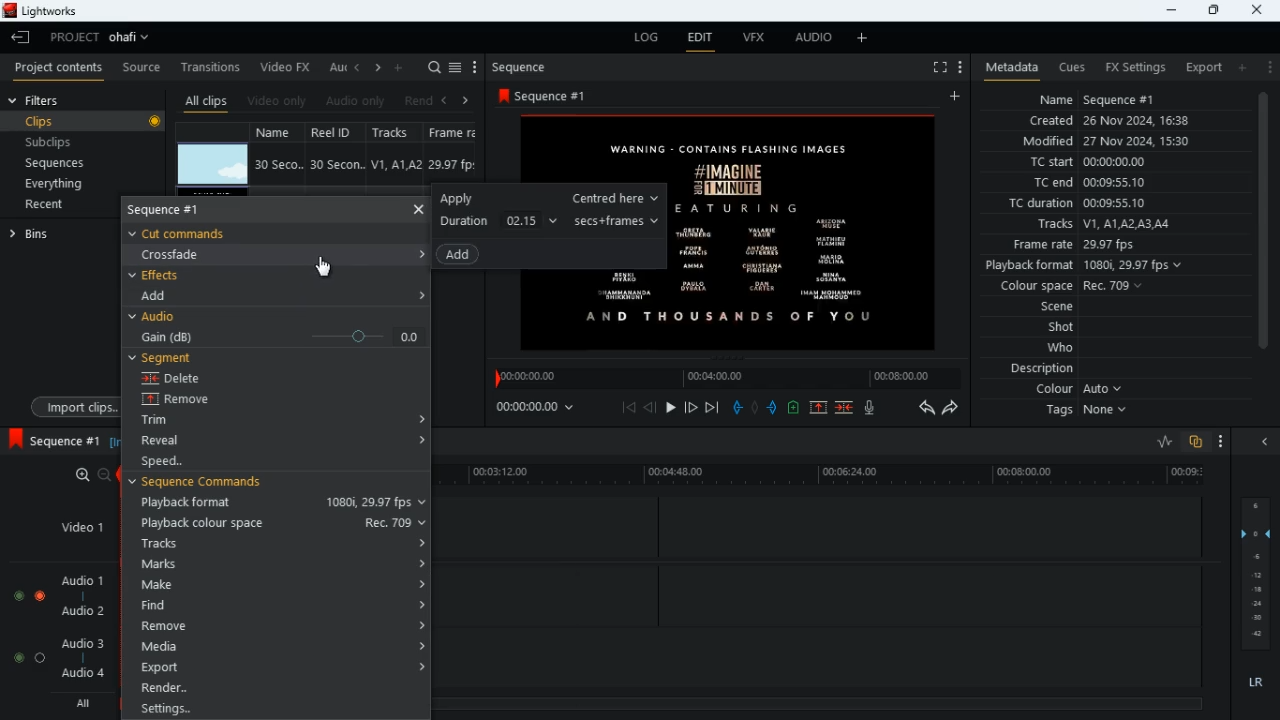  What do you see at coordinates (1102, 225) in the screenshot?
I see `tracks` at bounding box center [1102, 225].